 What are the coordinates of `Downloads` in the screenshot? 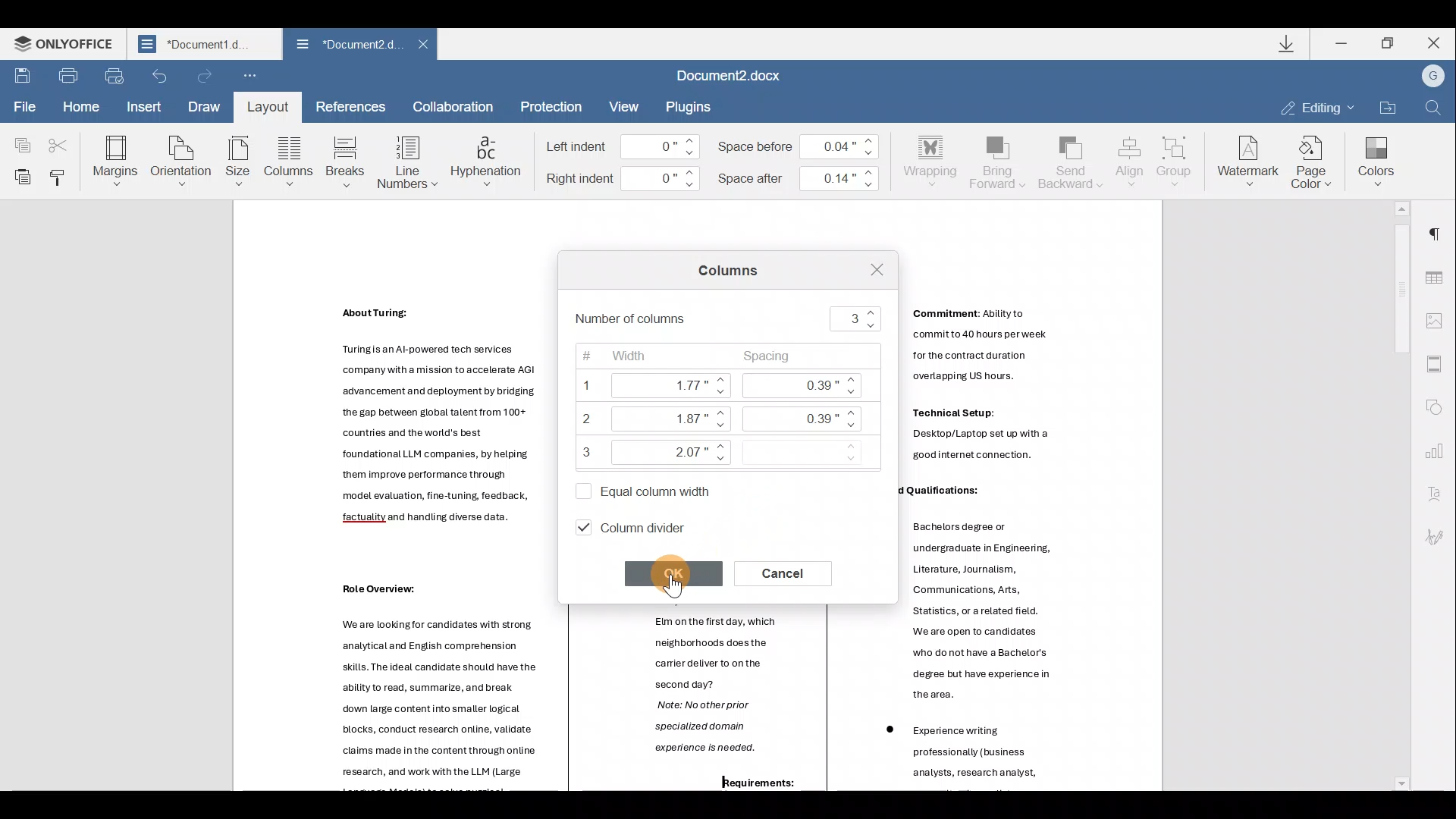 It's located at (1288, 45).